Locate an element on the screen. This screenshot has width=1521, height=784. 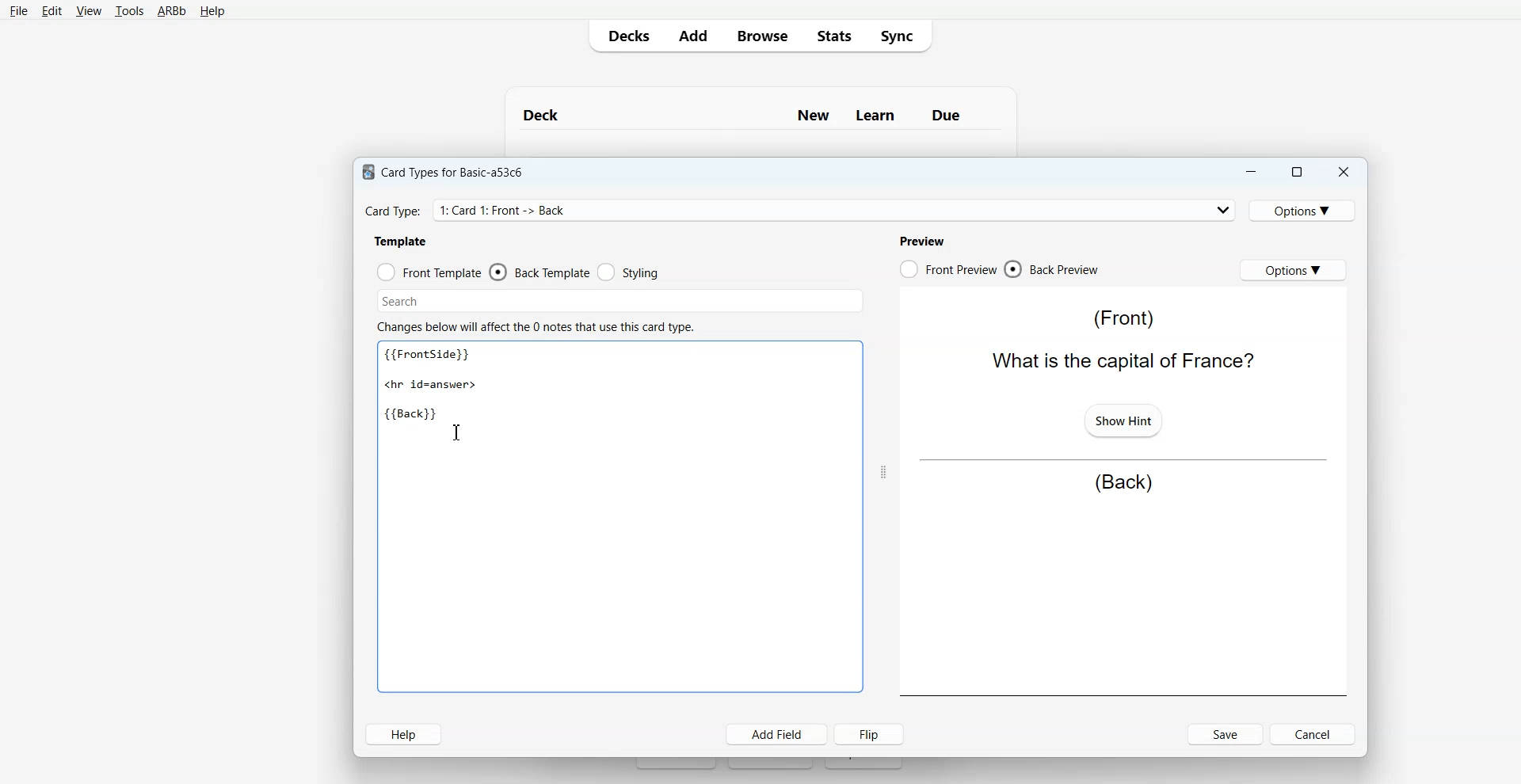
Options is located at coordinates (1293, 269).